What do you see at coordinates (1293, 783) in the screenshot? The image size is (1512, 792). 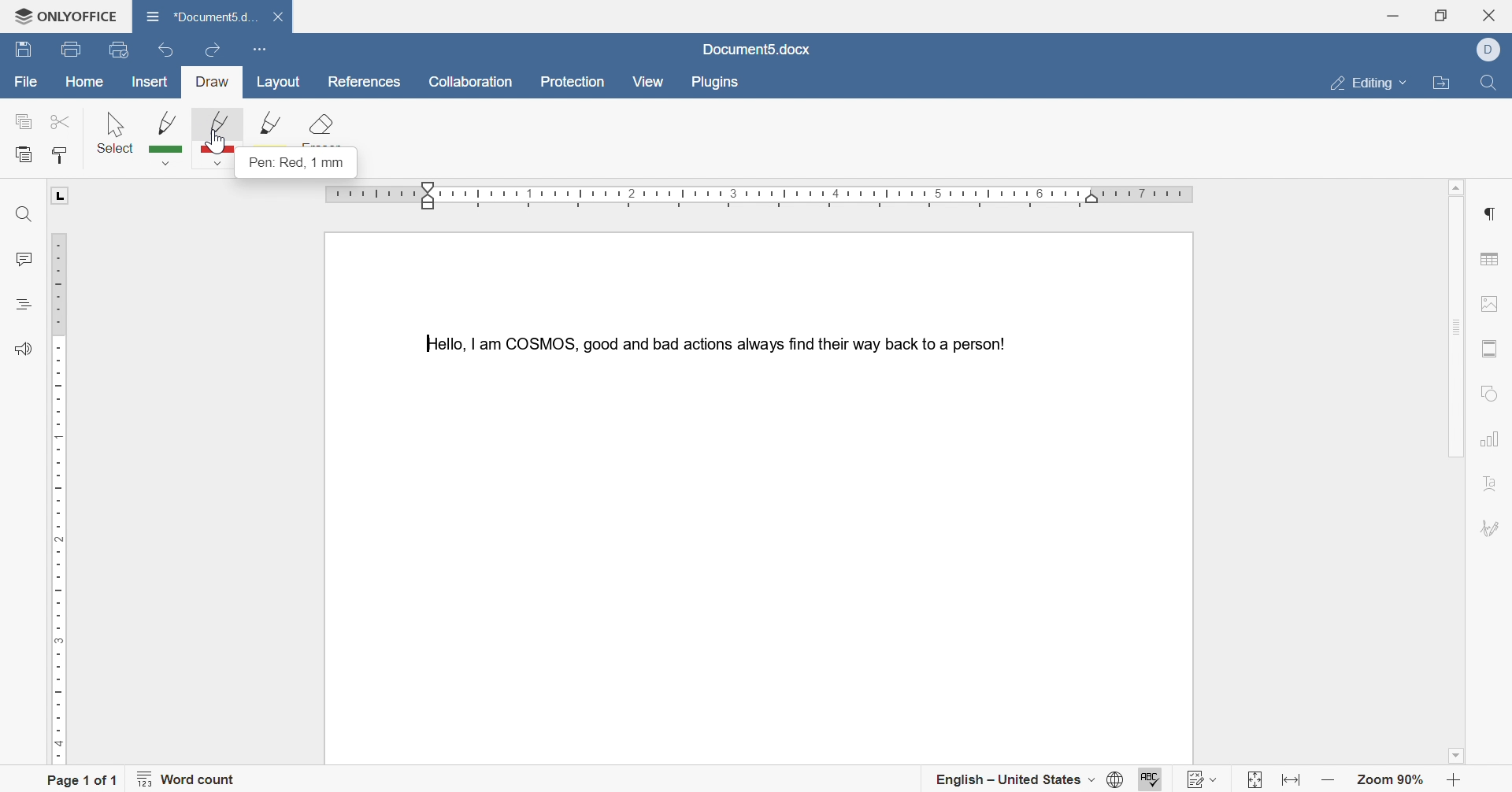 I see `fit to width` at bounding box center [1293, 783].